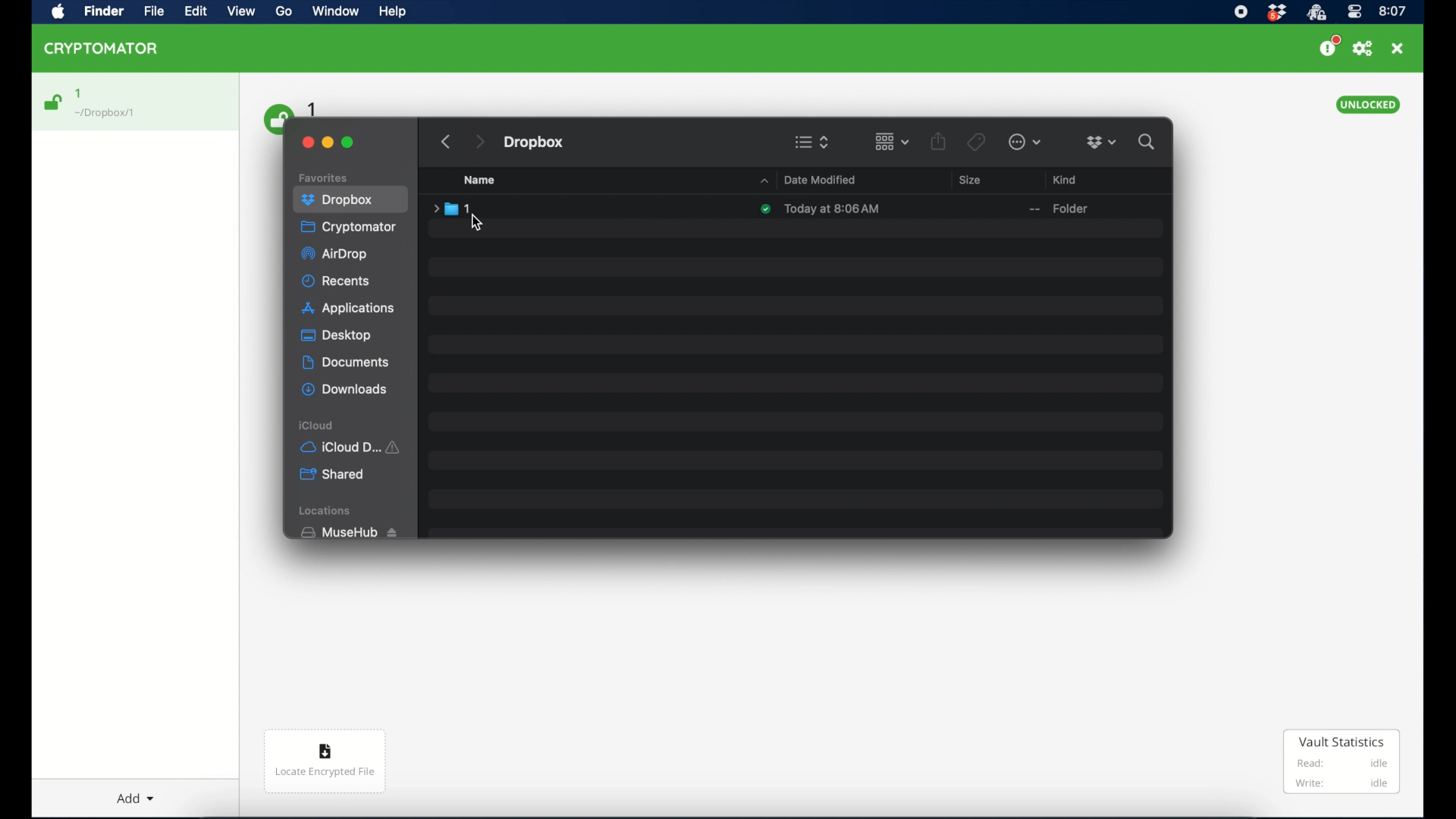  I want to click on maximize, so click(349, 143).